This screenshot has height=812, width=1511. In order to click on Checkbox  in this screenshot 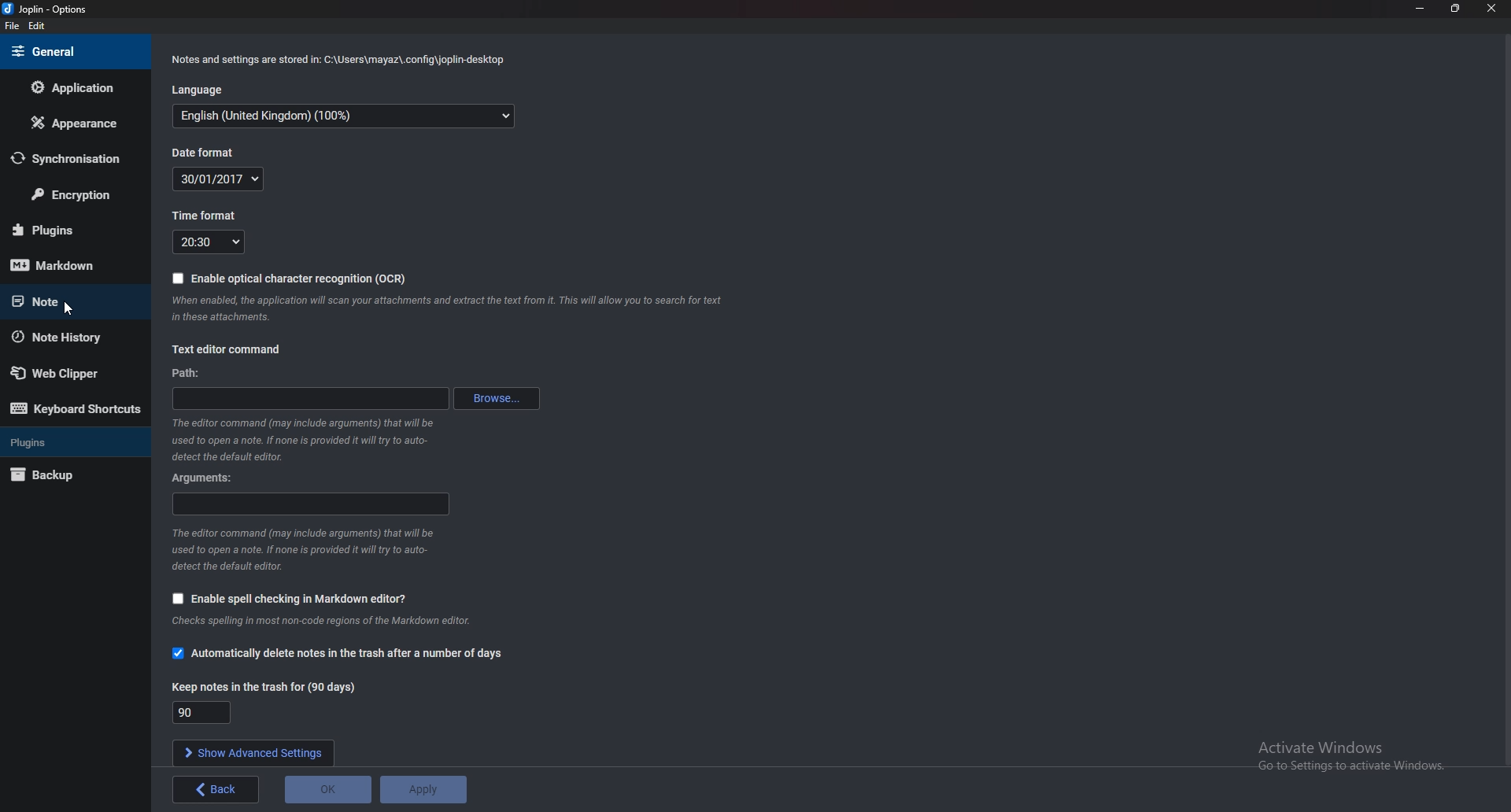, I will do `click(175, 654)`.